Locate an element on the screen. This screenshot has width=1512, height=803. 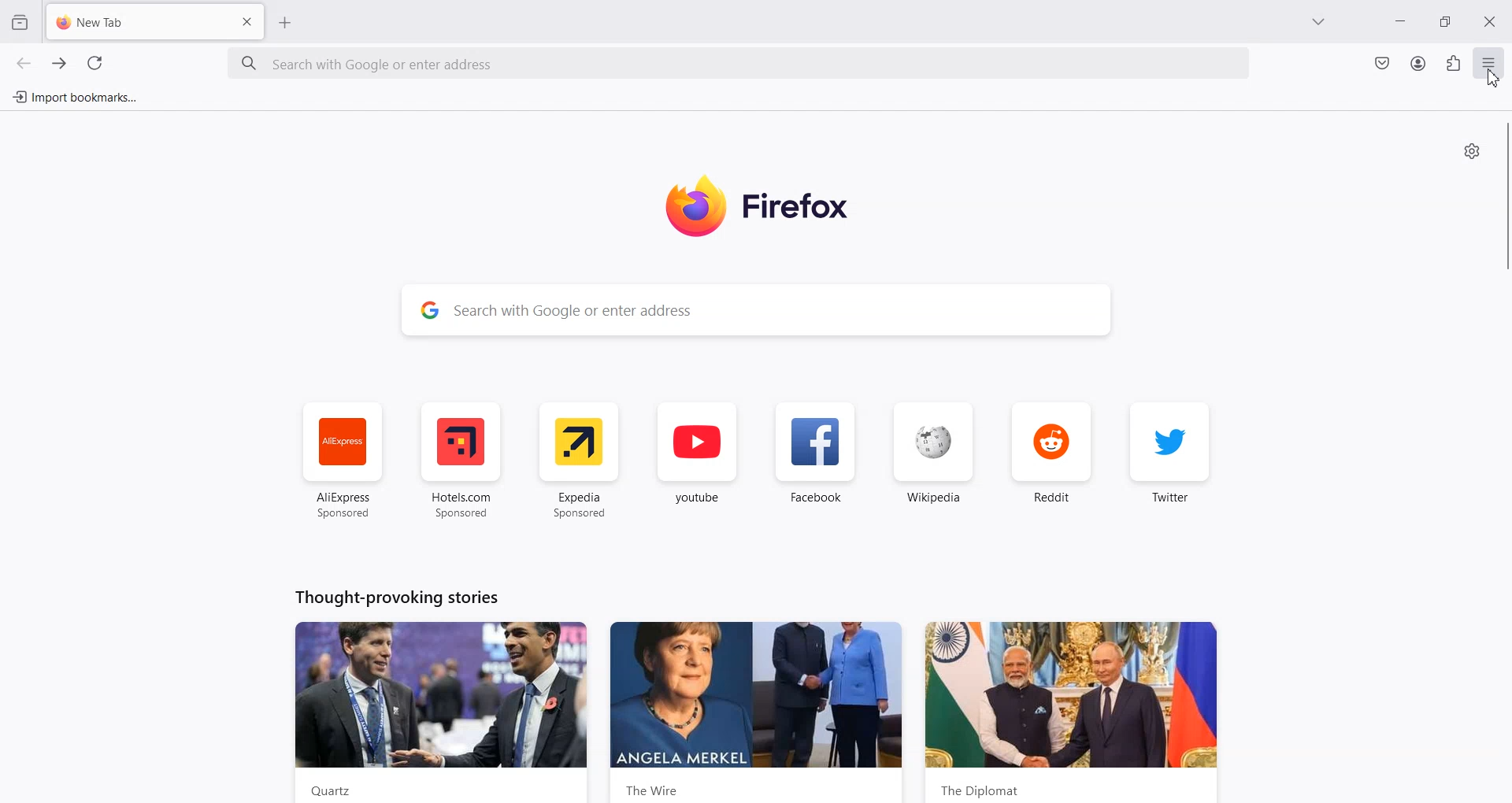
Add New Tab is located at coordinates (286, 23).